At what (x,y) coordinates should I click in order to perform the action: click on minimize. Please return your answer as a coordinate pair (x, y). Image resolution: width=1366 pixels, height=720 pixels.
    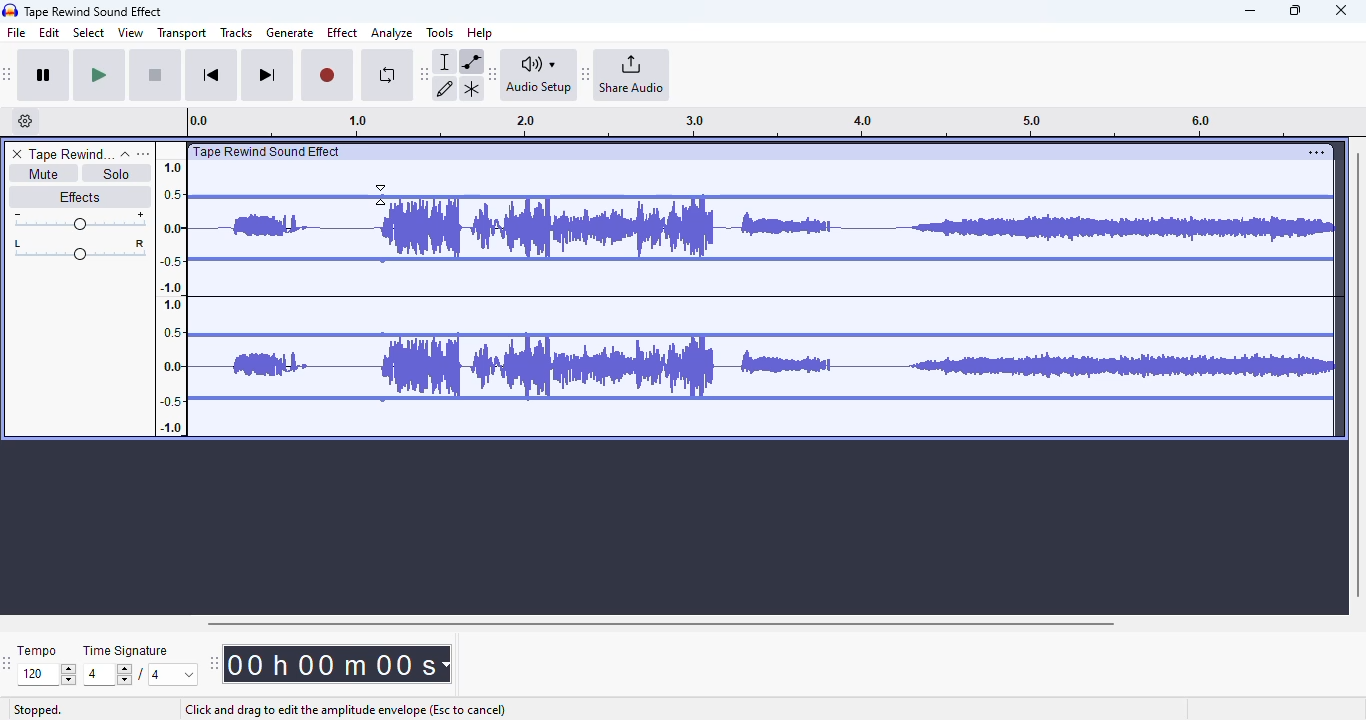
    Looking at the image, I should click on (1250, 11).